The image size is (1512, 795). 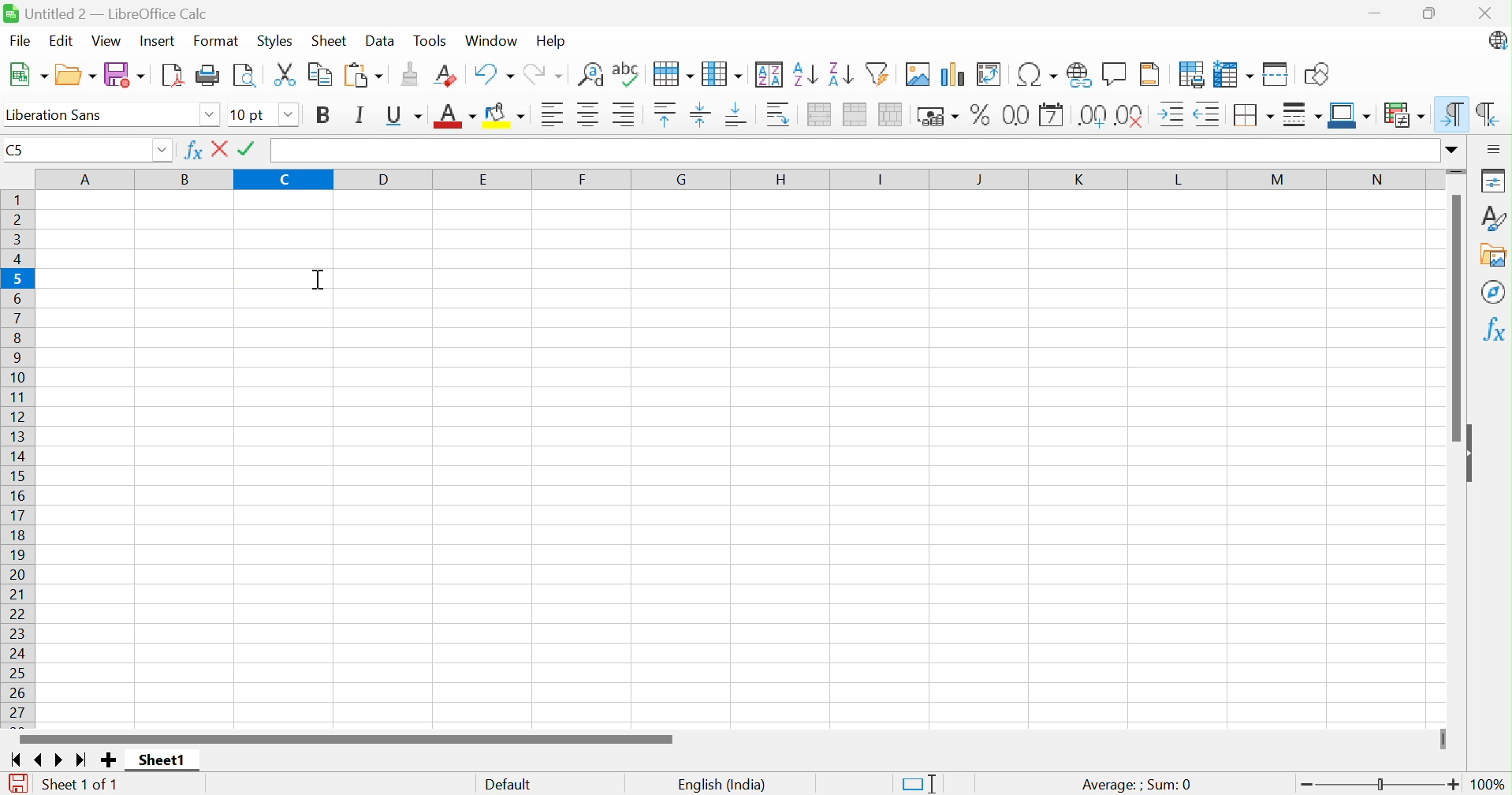 What do you see at coordinates (126, 73) in the screenshot?
I see `Save` at bounding box center [126, 73].